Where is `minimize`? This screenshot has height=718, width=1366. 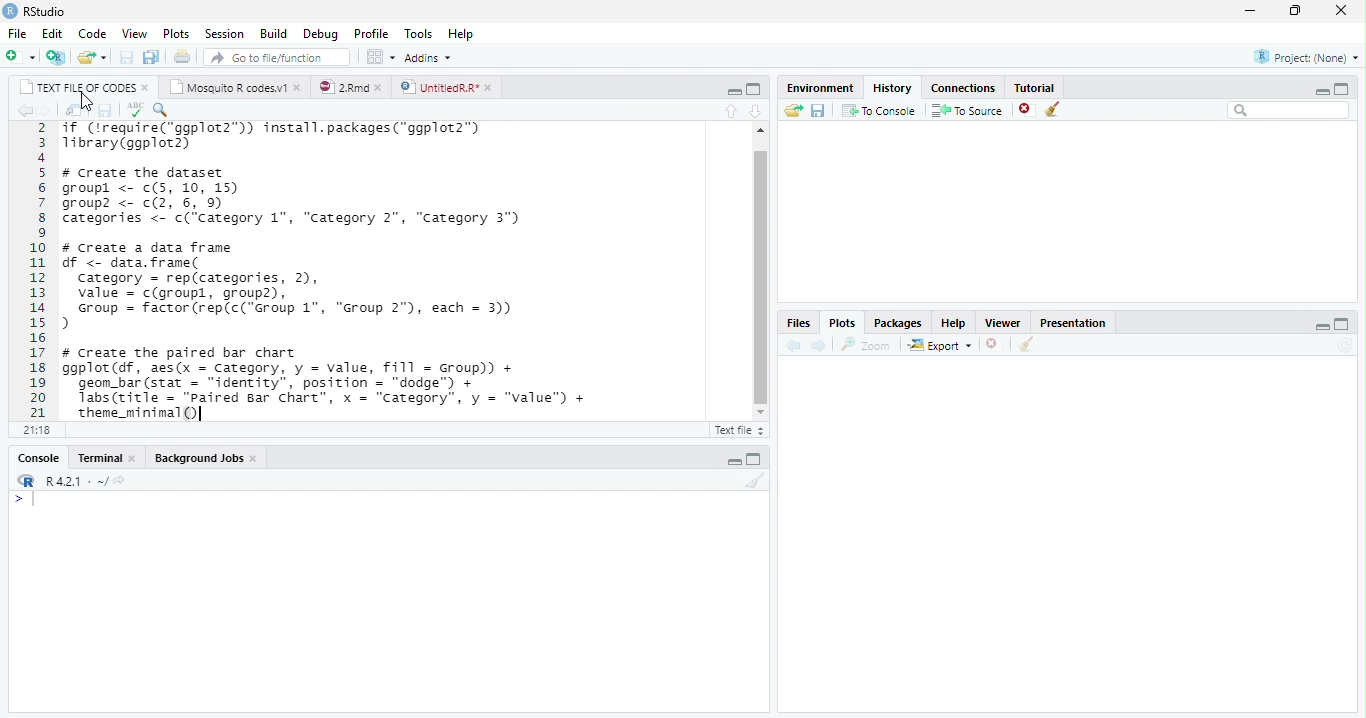 minimize is located at coordinates (734, 462).